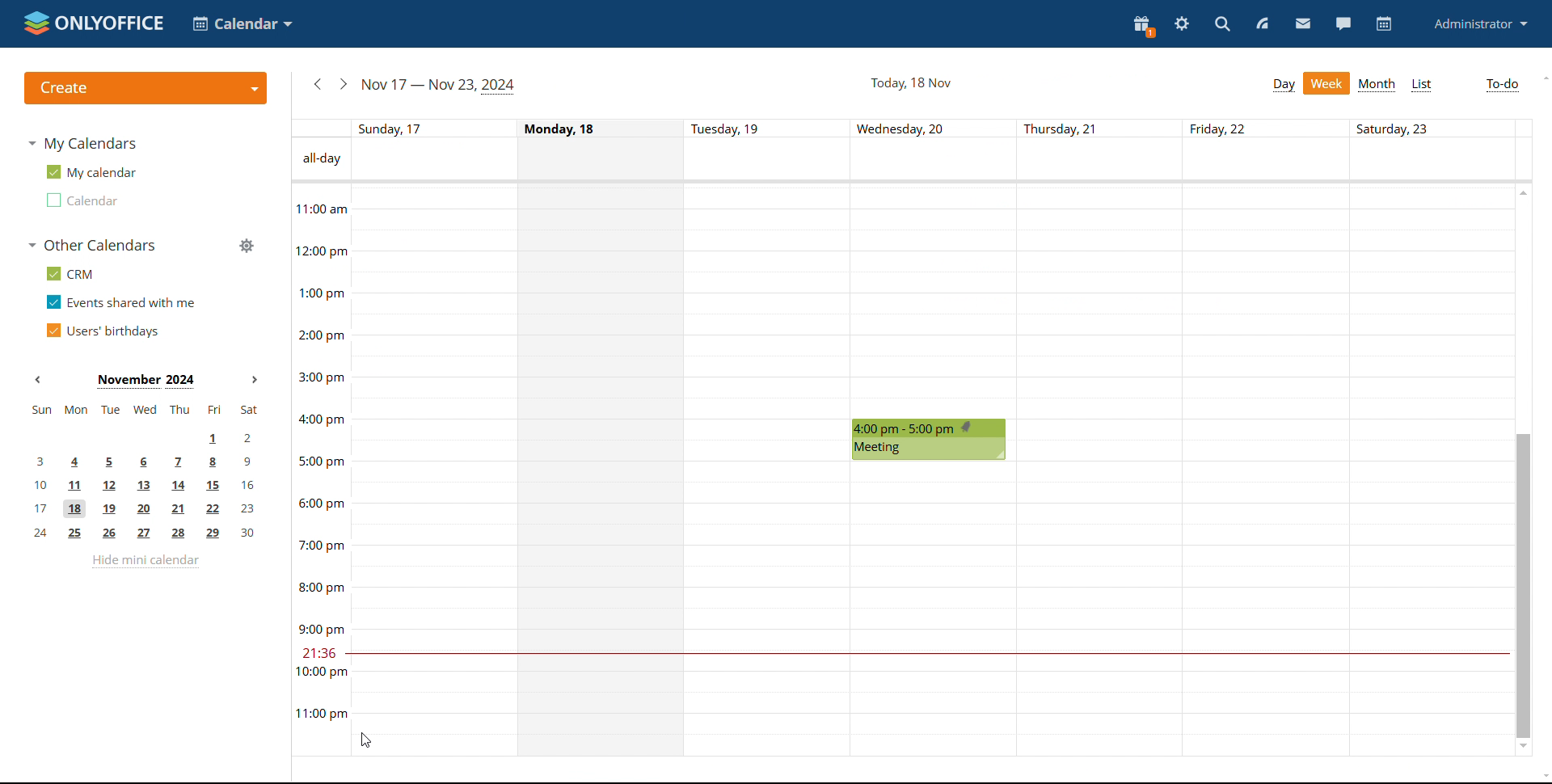 The image size is (1552, 784). I want to click on current week, so click(437, 86).